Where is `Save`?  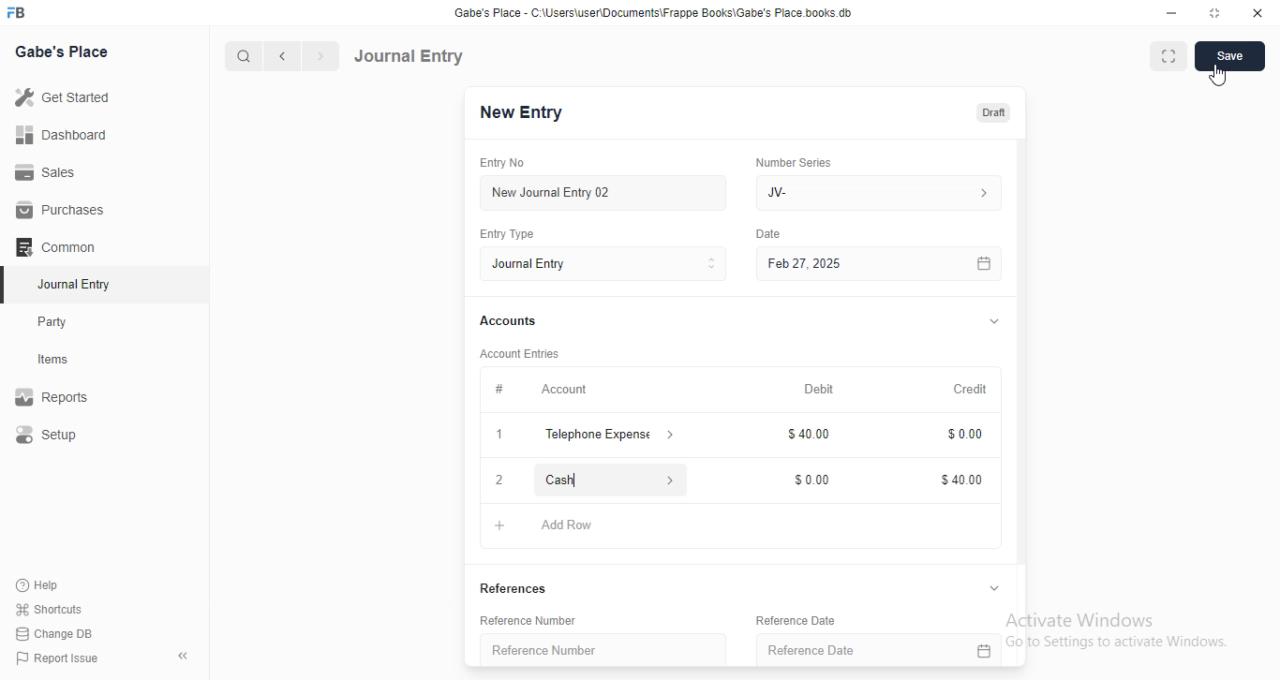
Save is located at coordinates (1231, 56).